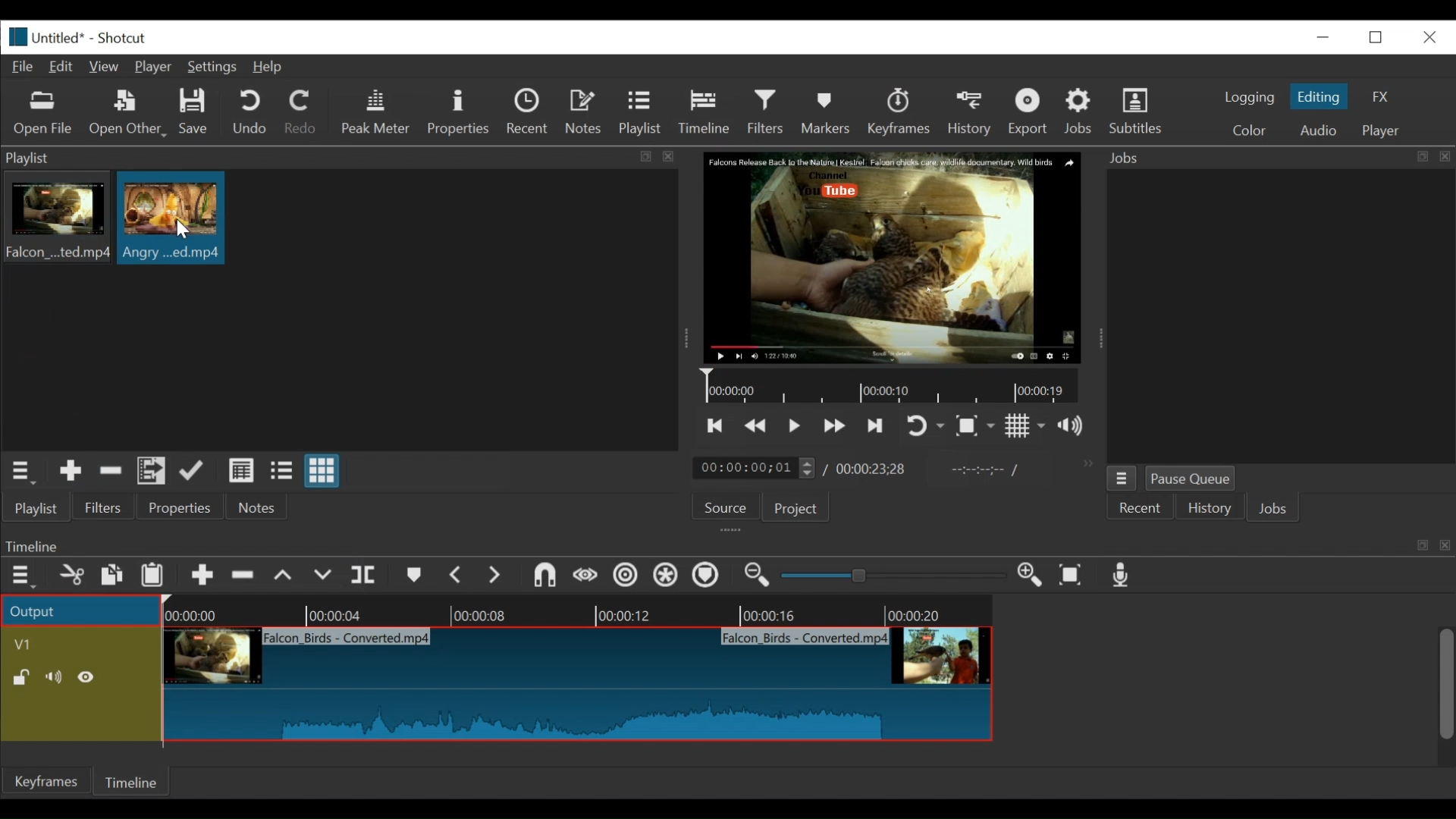 The image size is (1456, 819). Describe the element at coordinates (720, 510) in the screenshot. I see `Source` at that location.